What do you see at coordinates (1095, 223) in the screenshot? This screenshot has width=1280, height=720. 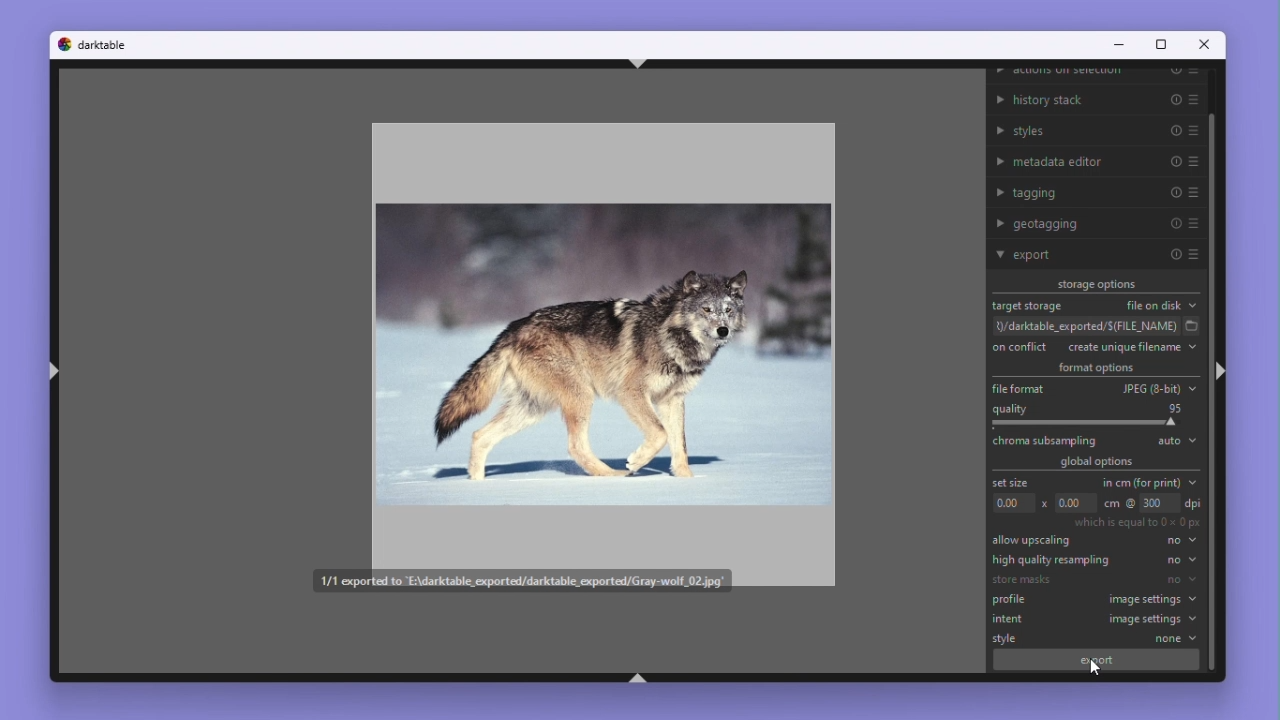 I see `Geo tagging` at bounding box center [1095, 223].